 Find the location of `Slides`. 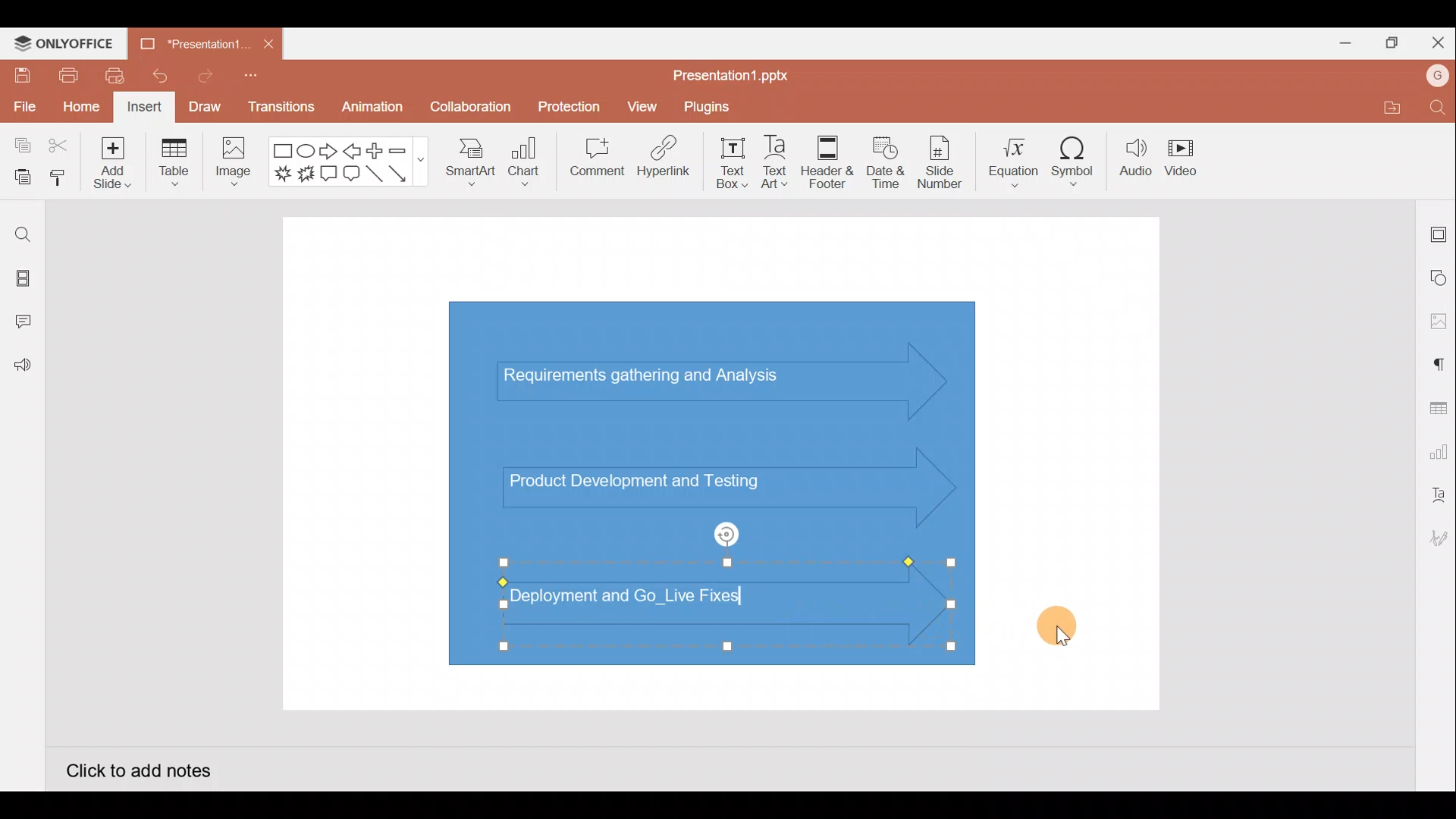

Slides is located at coordinates (21, 281).